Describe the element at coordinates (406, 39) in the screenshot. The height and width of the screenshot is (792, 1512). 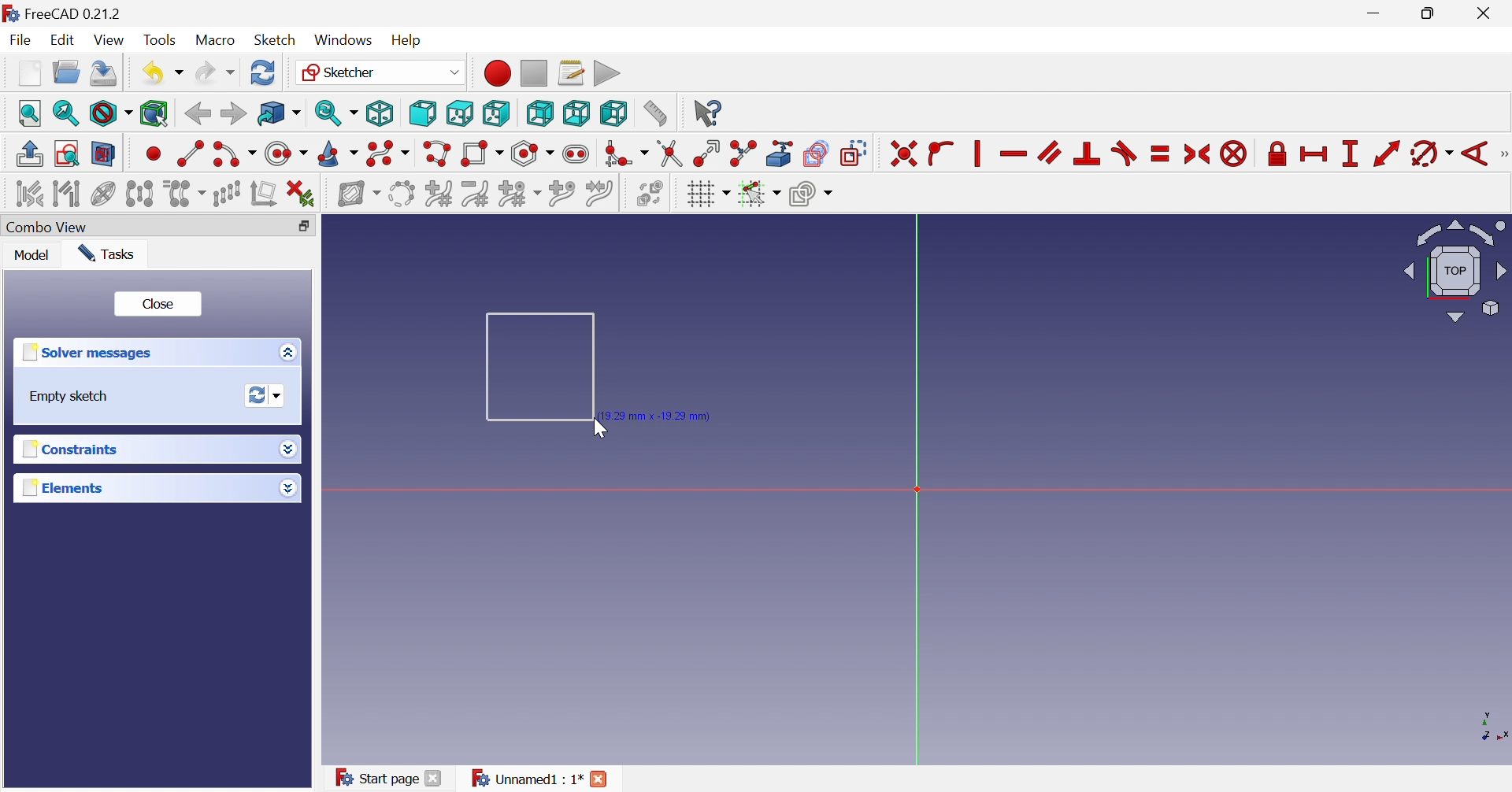
I see `Help` at that location.